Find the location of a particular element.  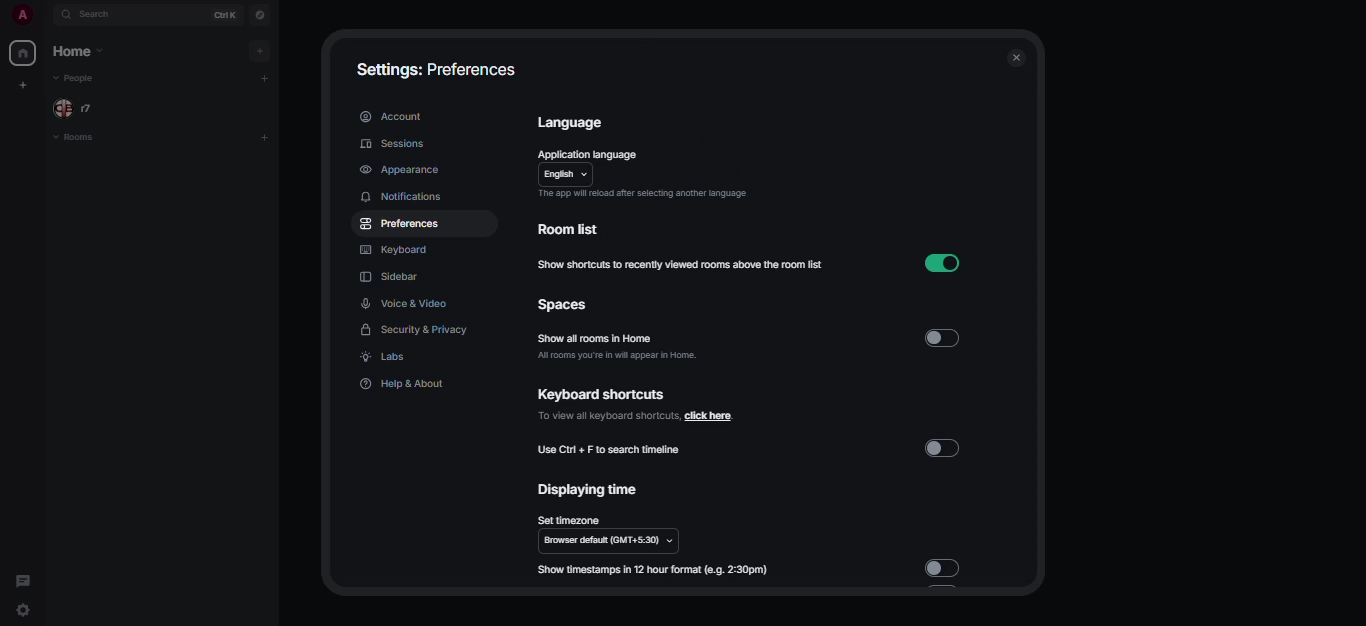

sessions is located at coordinates (393, 144).